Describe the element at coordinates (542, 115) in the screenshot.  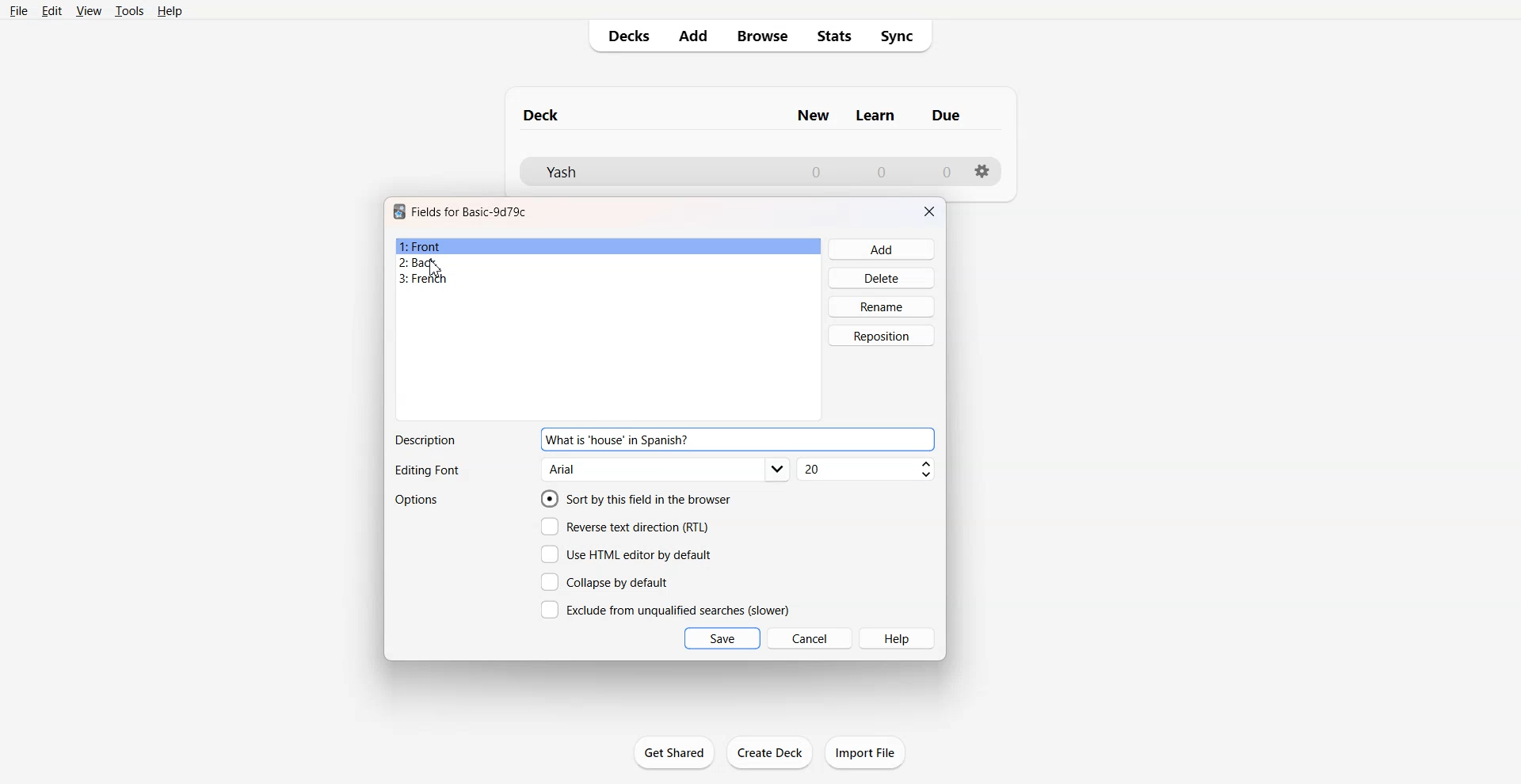
I see `Text 1` at that location.